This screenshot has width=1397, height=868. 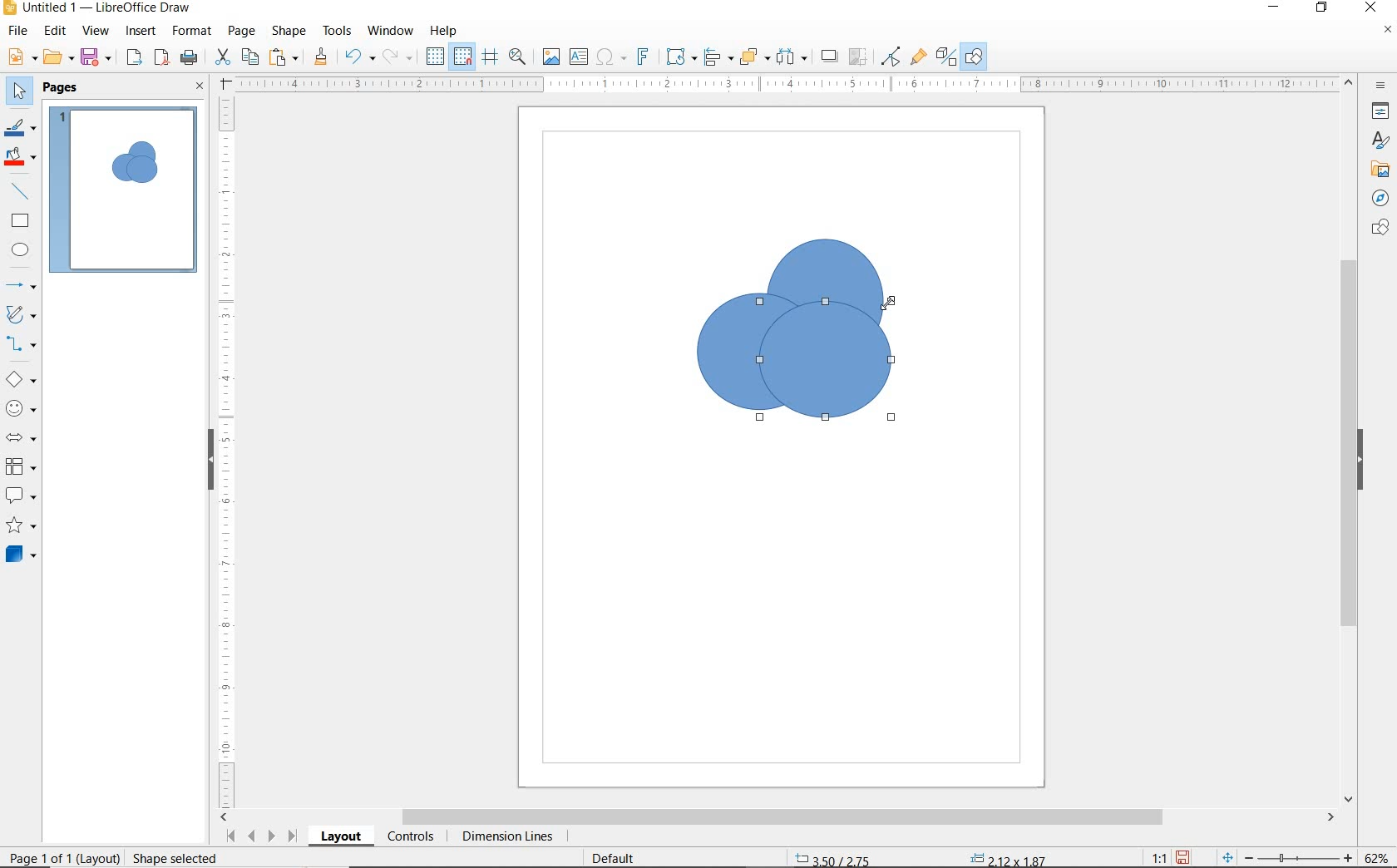 What do you see at coordinates (54, 851) in the screenshot?
I see `PAGE 1 O 1` at bounding box center [54, 851].